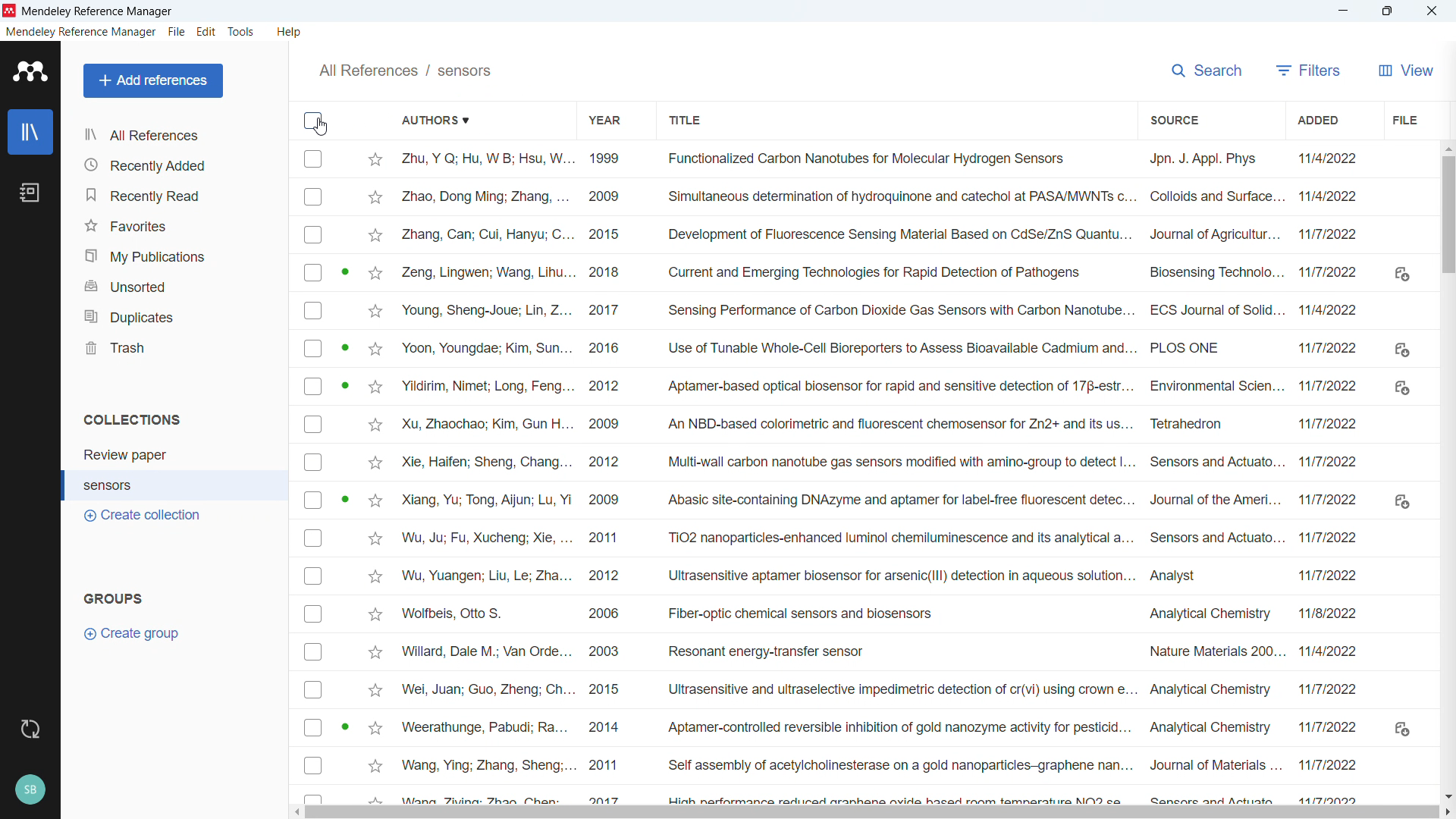 The width and height of the screenshot is (1456, 819). What do you see at coordinates (177, 33) in the screenshot?
I see `file` at bounding box center [177, 33].